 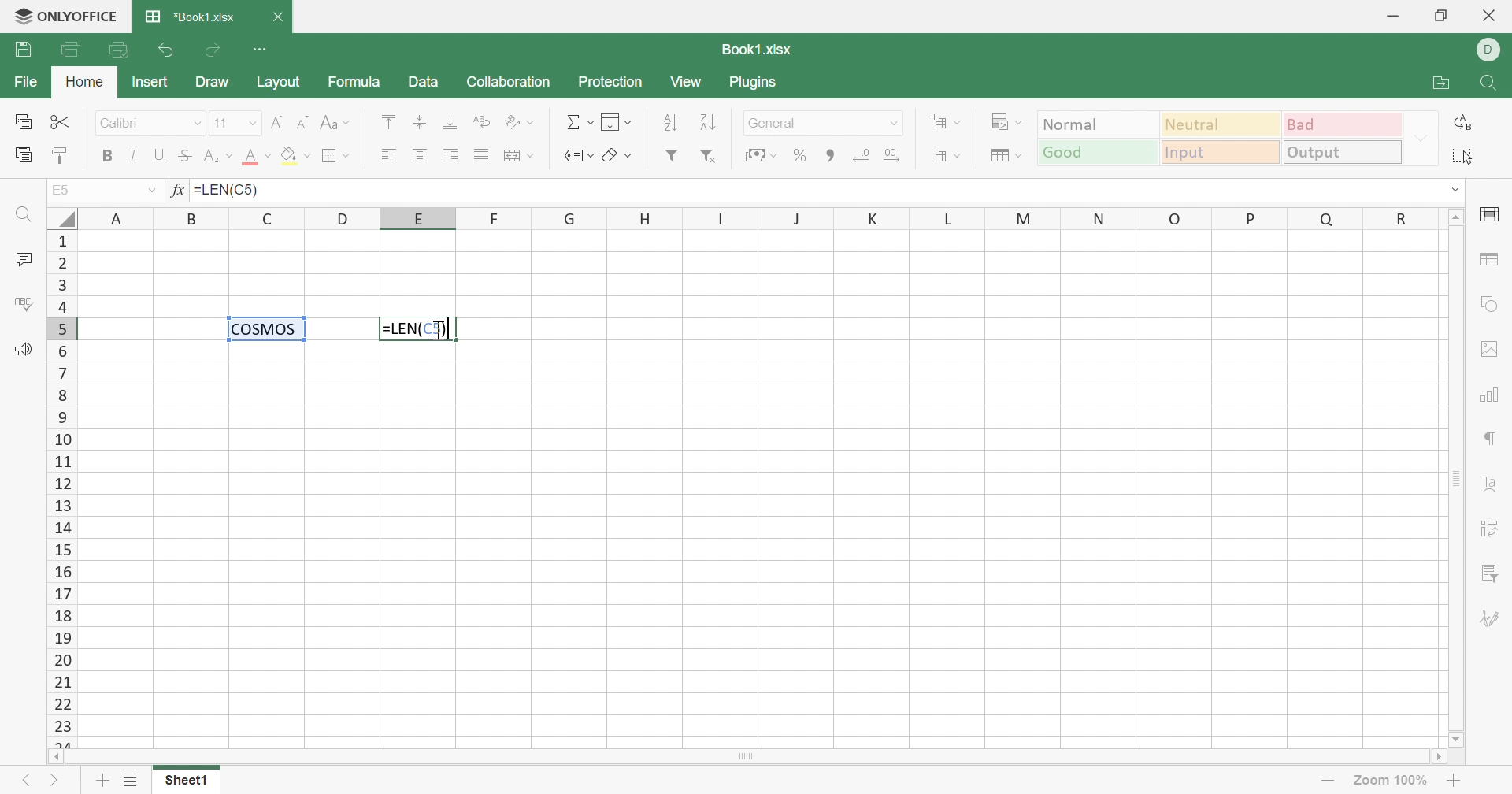 I want to click on Drop down, so click(x=1421, y=139).